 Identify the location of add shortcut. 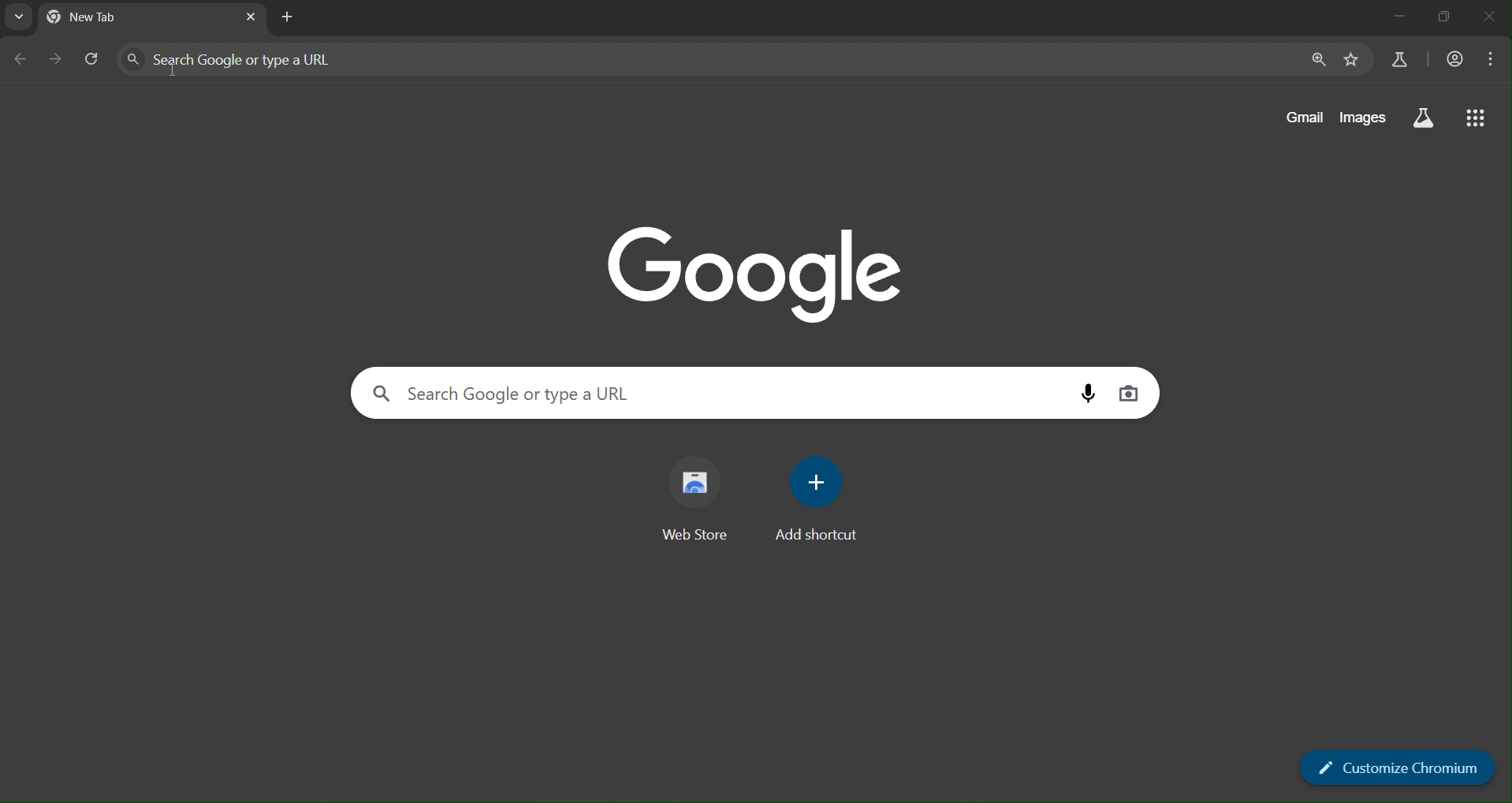
(821, 499).